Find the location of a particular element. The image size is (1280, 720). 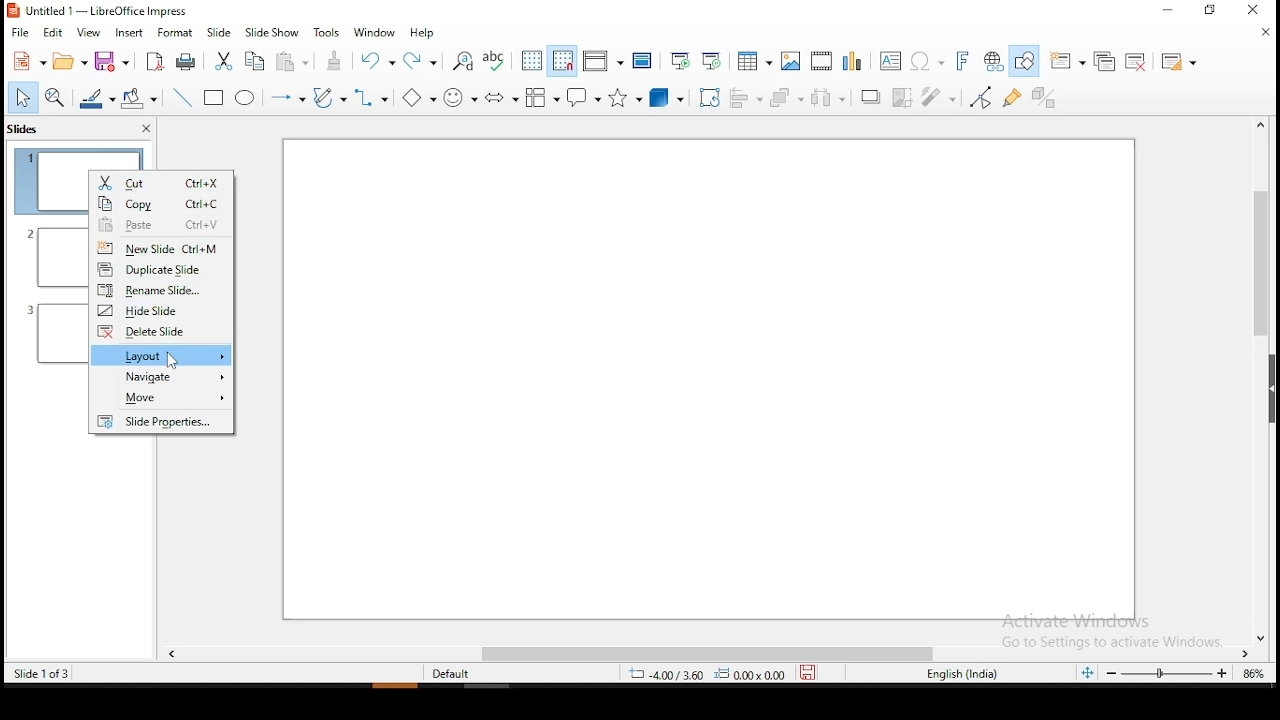

new slide is located at coordinates (1065, 60).